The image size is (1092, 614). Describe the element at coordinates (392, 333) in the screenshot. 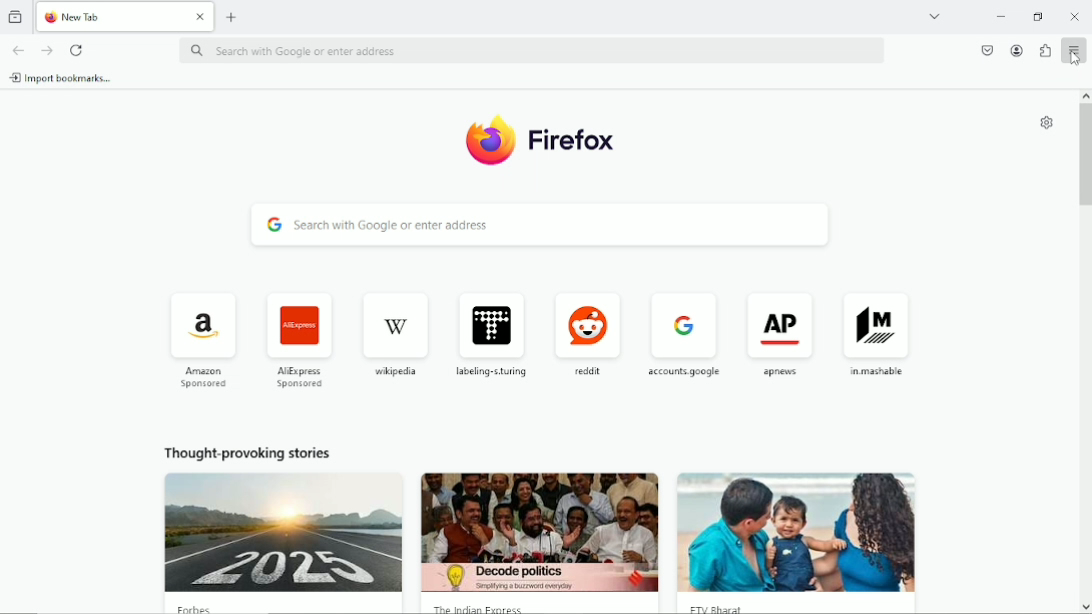

I see `wikipedia` at that location.